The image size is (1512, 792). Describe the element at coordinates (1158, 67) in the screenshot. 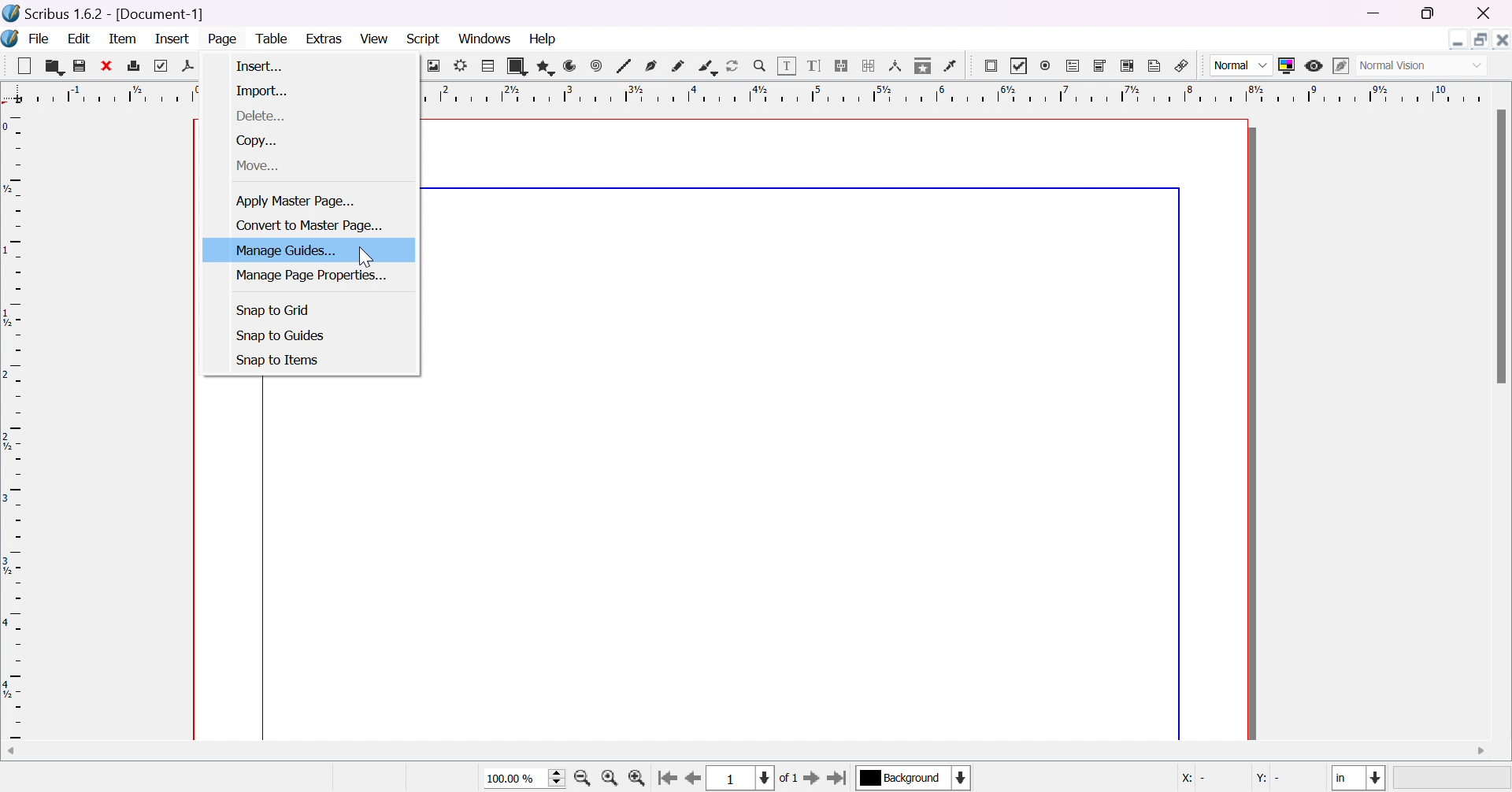

I see `text annotation` at that location.